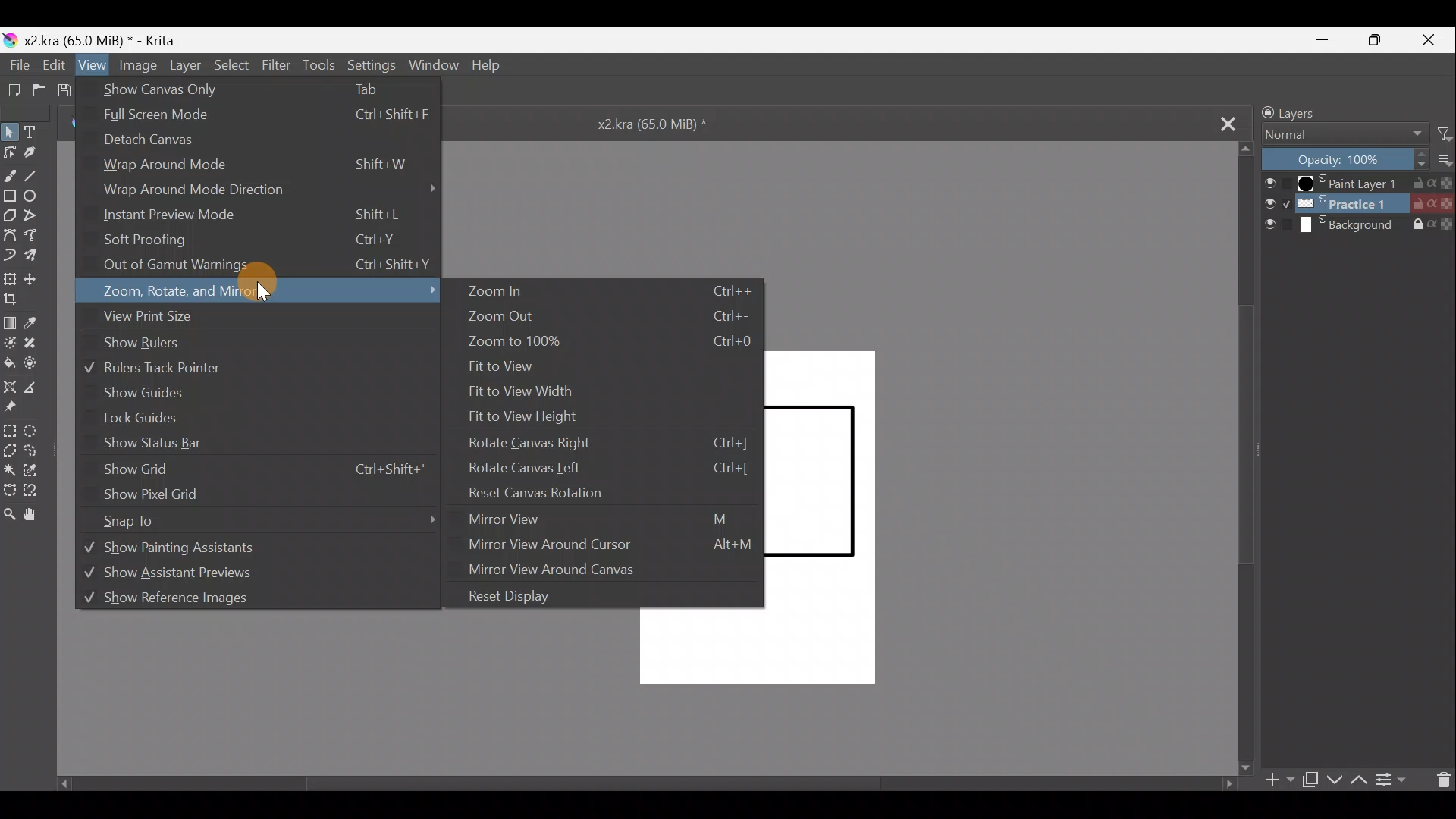 The height and width of the screenshot is (819, 1456). I want to click on View, so click(90, 65).